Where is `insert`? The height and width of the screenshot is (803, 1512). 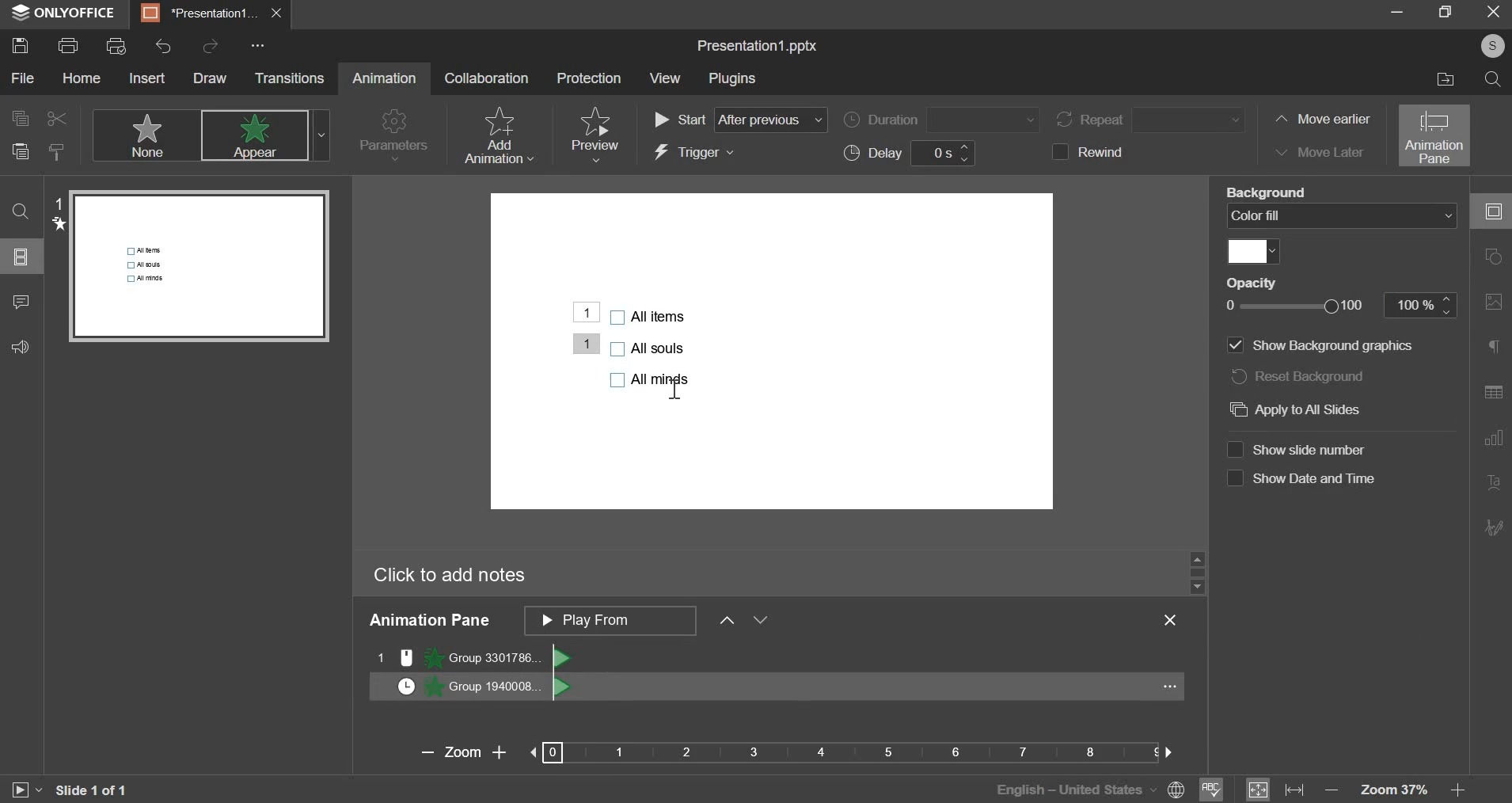 insert is located at coordinates (146, 78).